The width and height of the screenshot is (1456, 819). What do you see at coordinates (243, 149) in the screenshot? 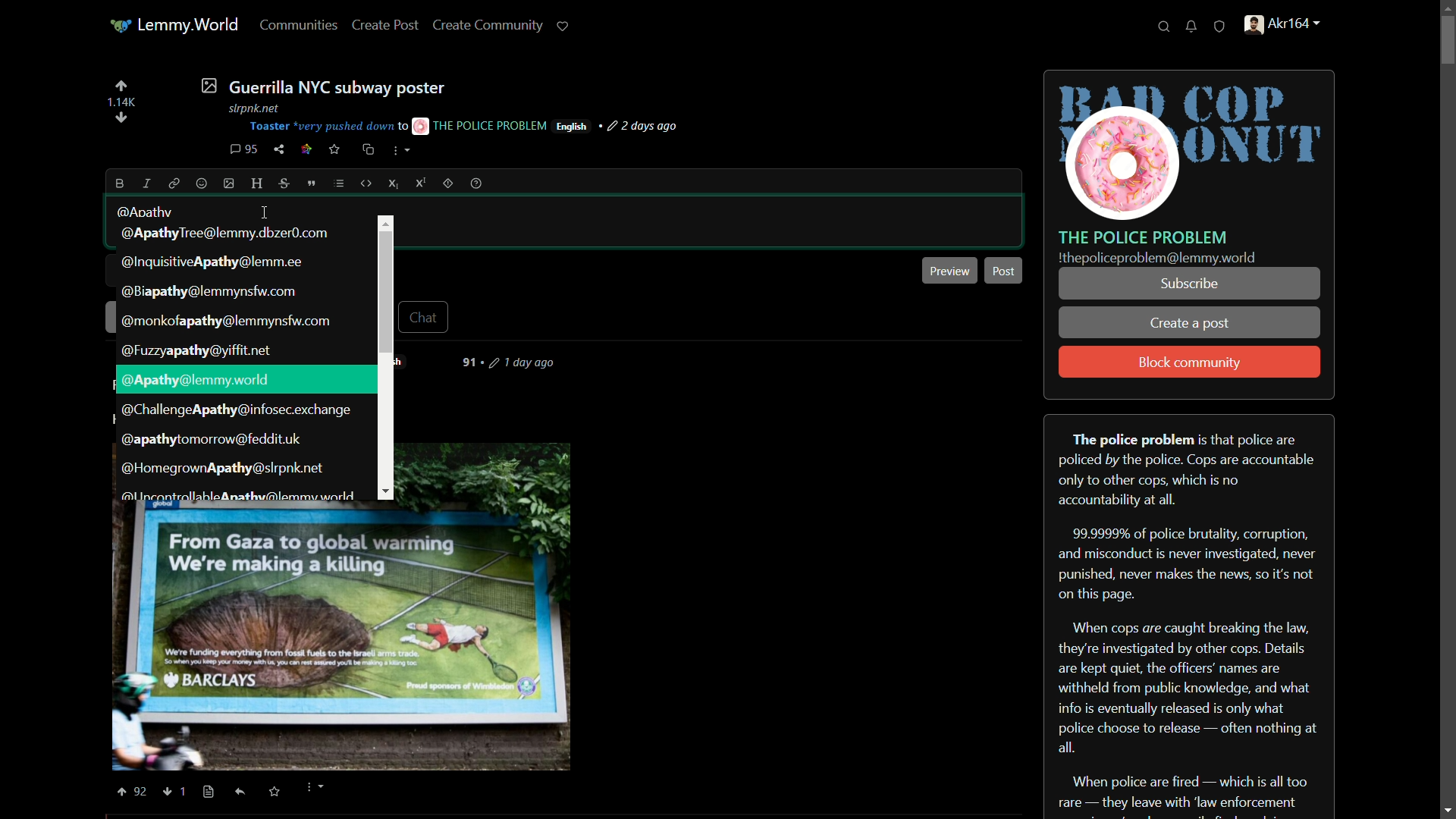
I see `comment` at bounding box center [243, 149].